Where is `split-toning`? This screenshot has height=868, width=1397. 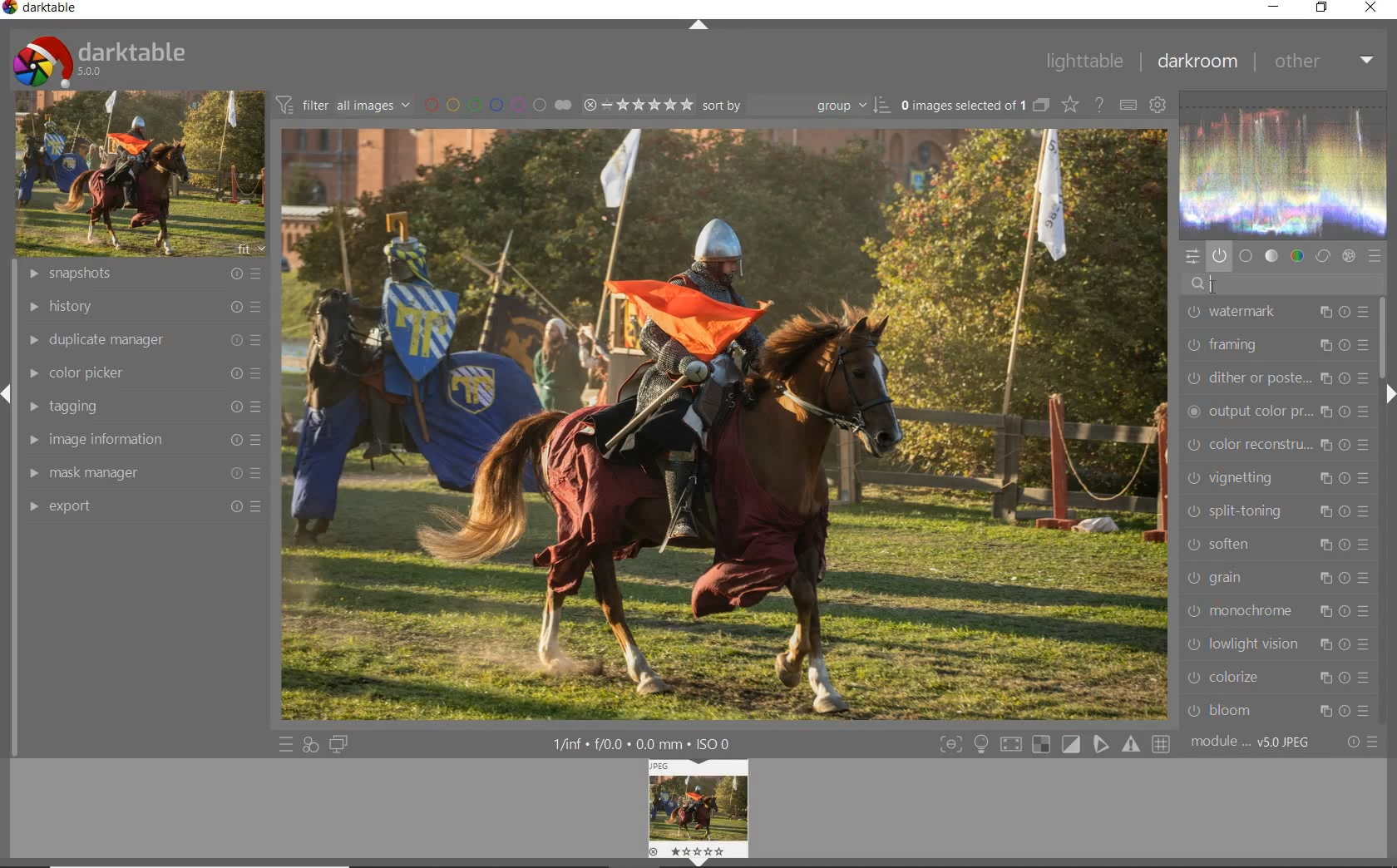 split-toning is located at coordinates (1278, 514).